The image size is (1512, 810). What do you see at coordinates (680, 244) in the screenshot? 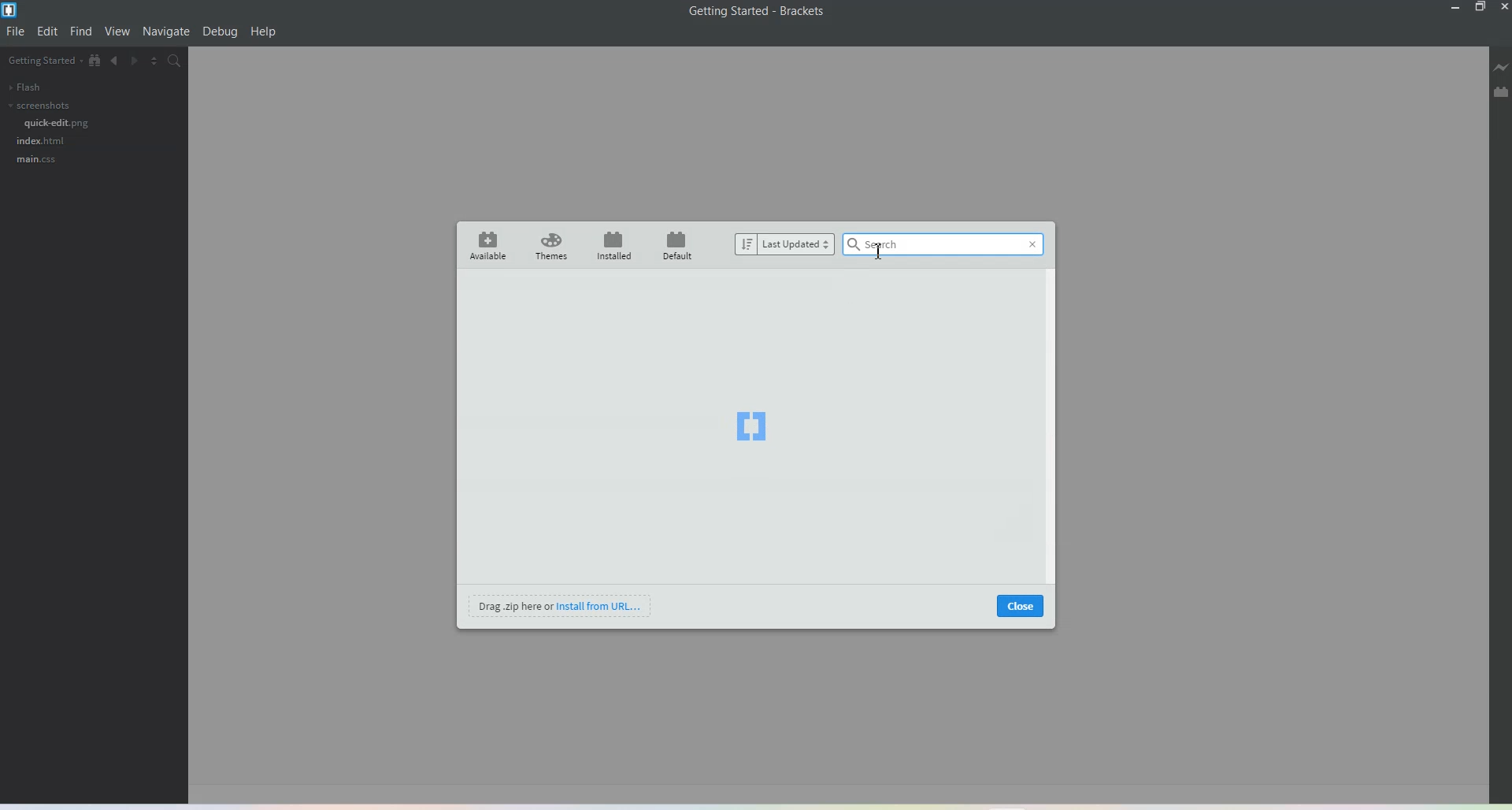
I see `Default` at bounding box center [680, 244].